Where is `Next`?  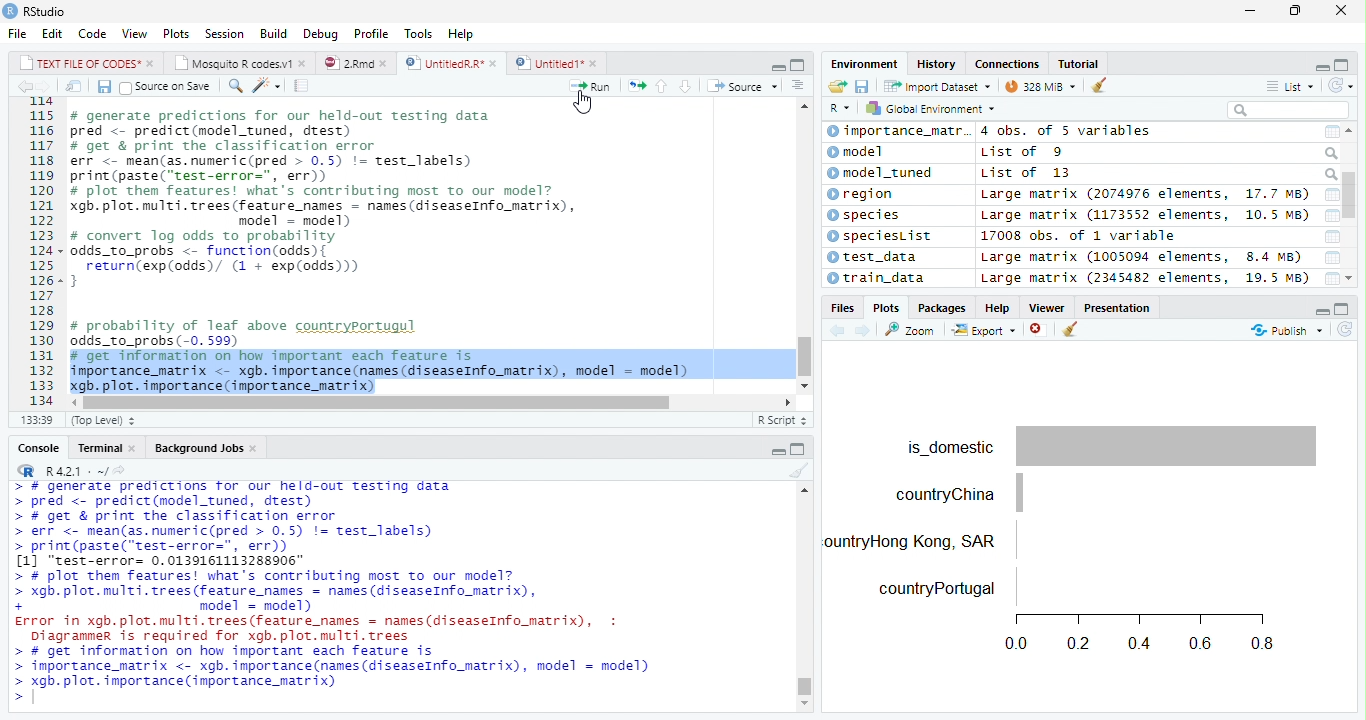 Next is located at coordinates (49, 86).